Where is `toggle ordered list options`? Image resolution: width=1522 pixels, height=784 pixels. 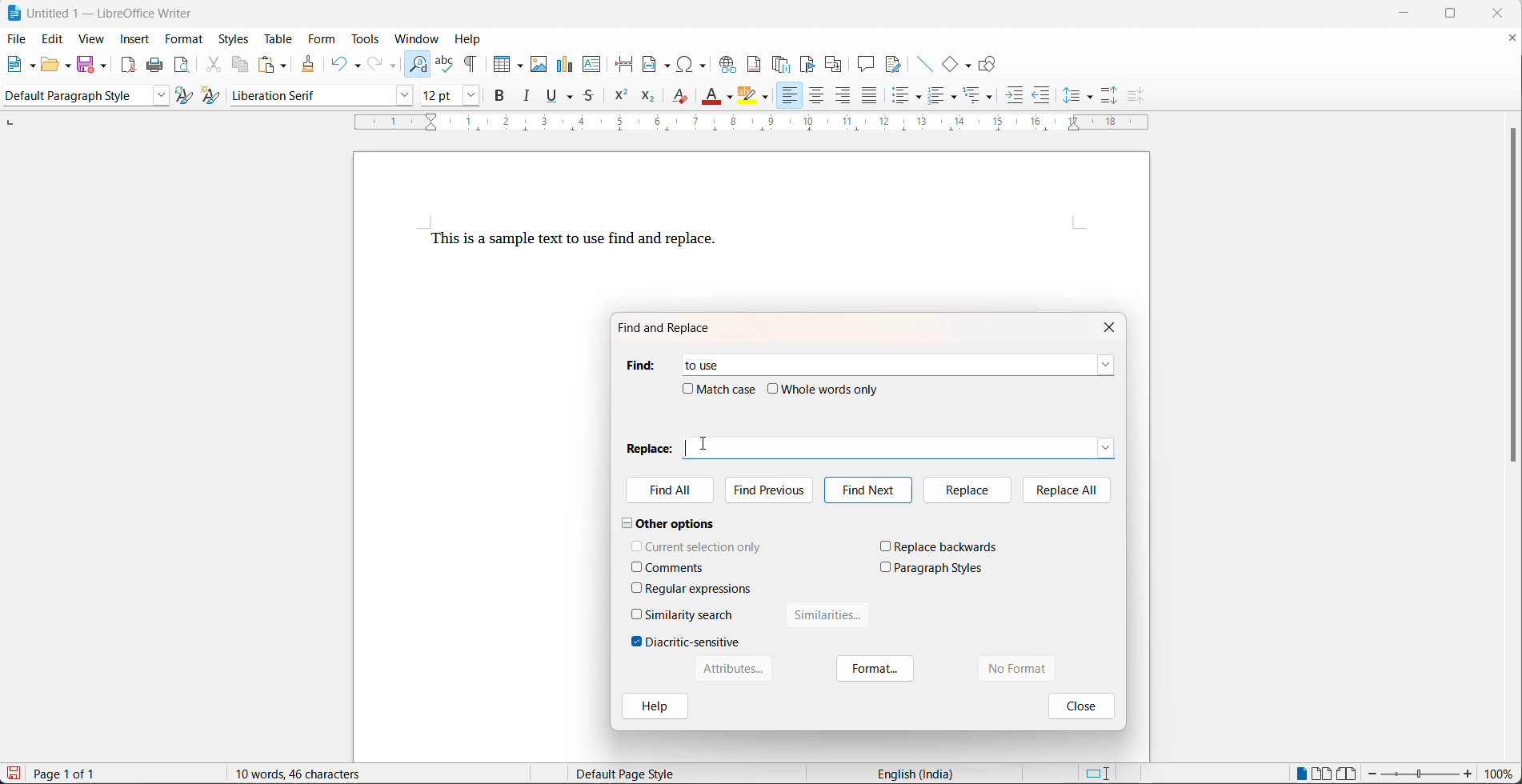
toggle ordered list options is located at coordinates (956, 98).